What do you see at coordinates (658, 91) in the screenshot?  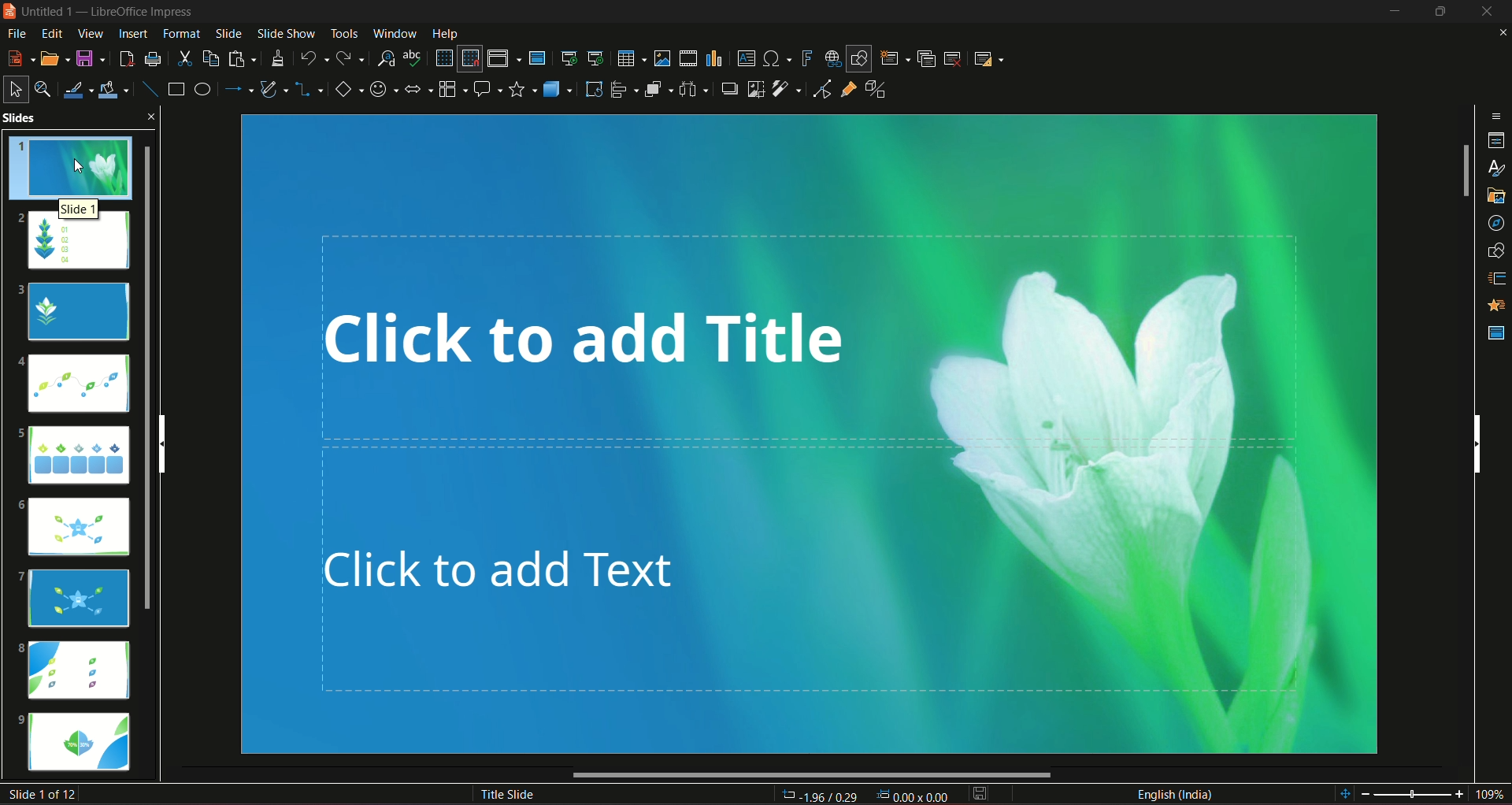 I see `arrange` at bounding box center [658, 91].